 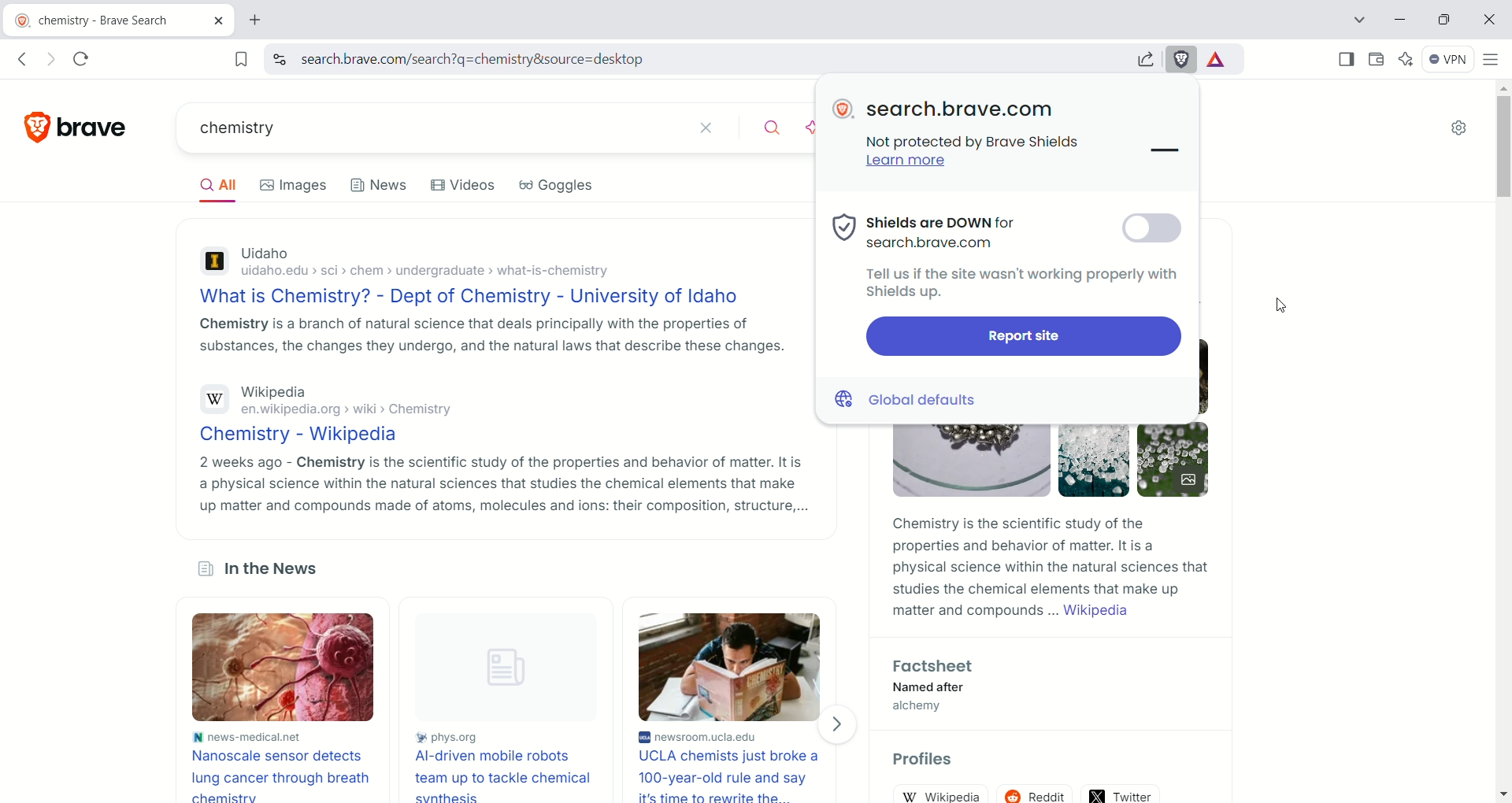 I want to click on chemistry - brave search, so click(x=117, y=18).